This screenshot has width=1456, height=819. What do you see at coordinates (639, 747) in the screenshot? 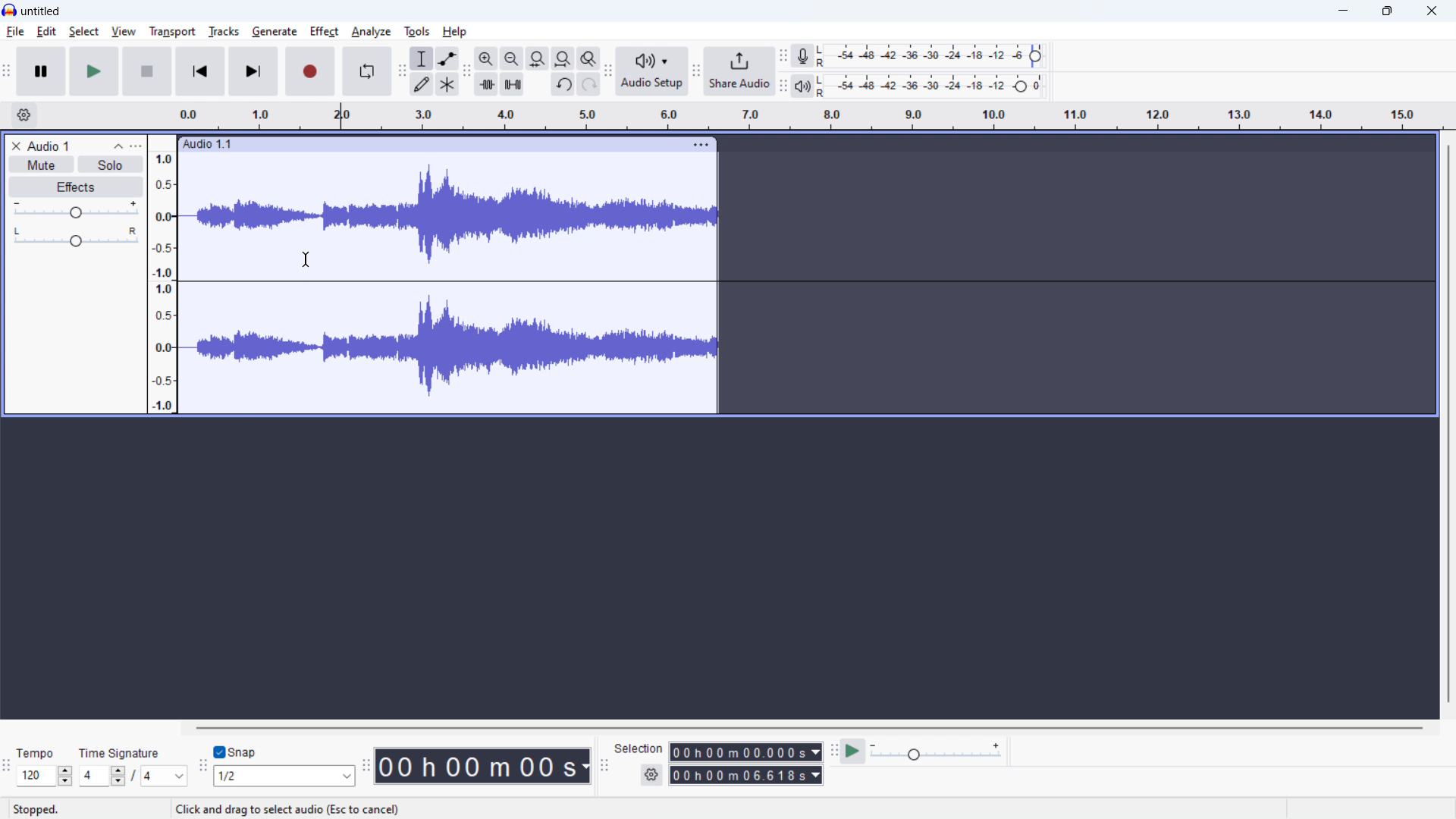
I see `Selection` at bounding box center [639, 747].